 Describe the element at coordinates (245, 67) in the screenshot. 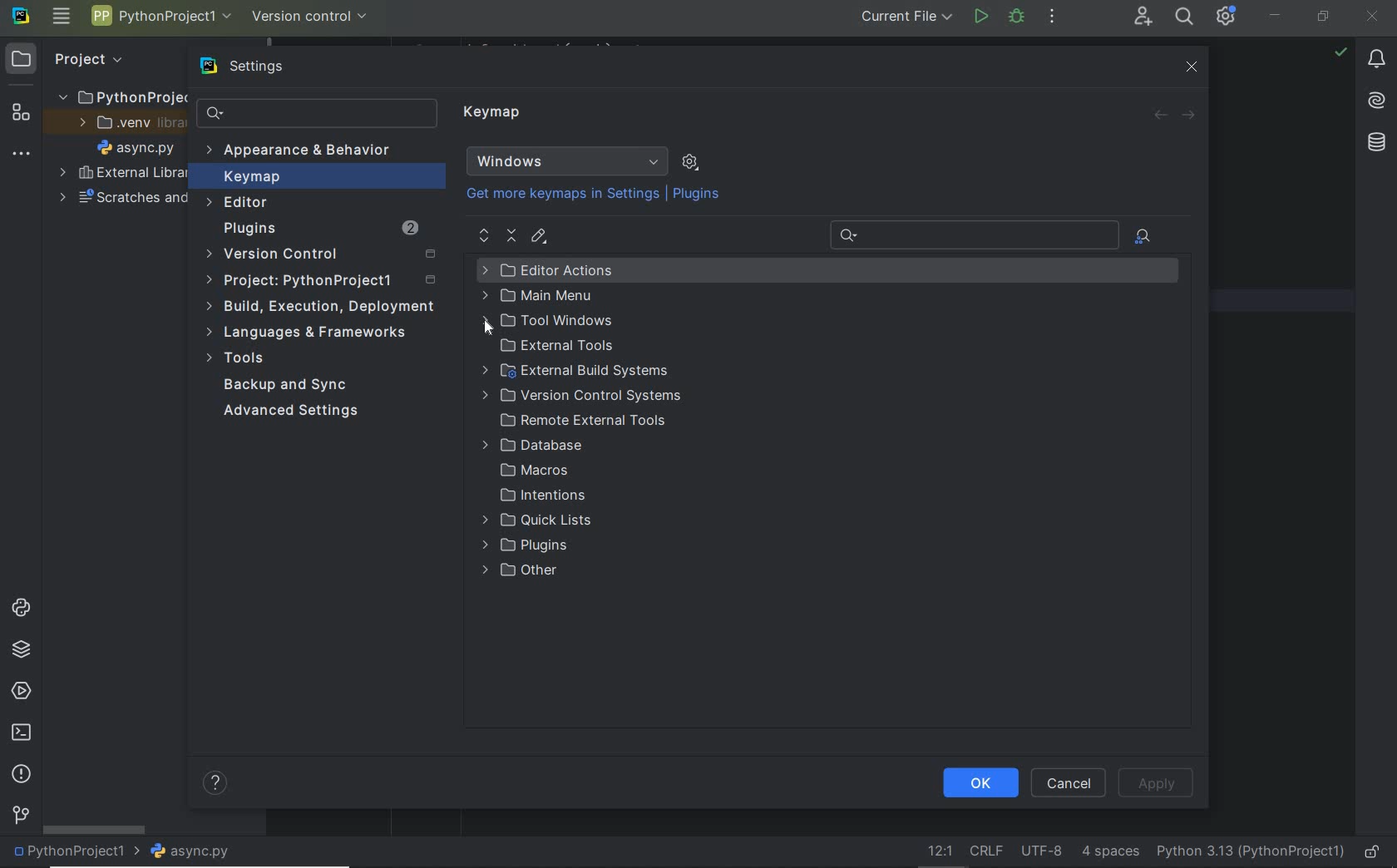

I see `settings` at that location.